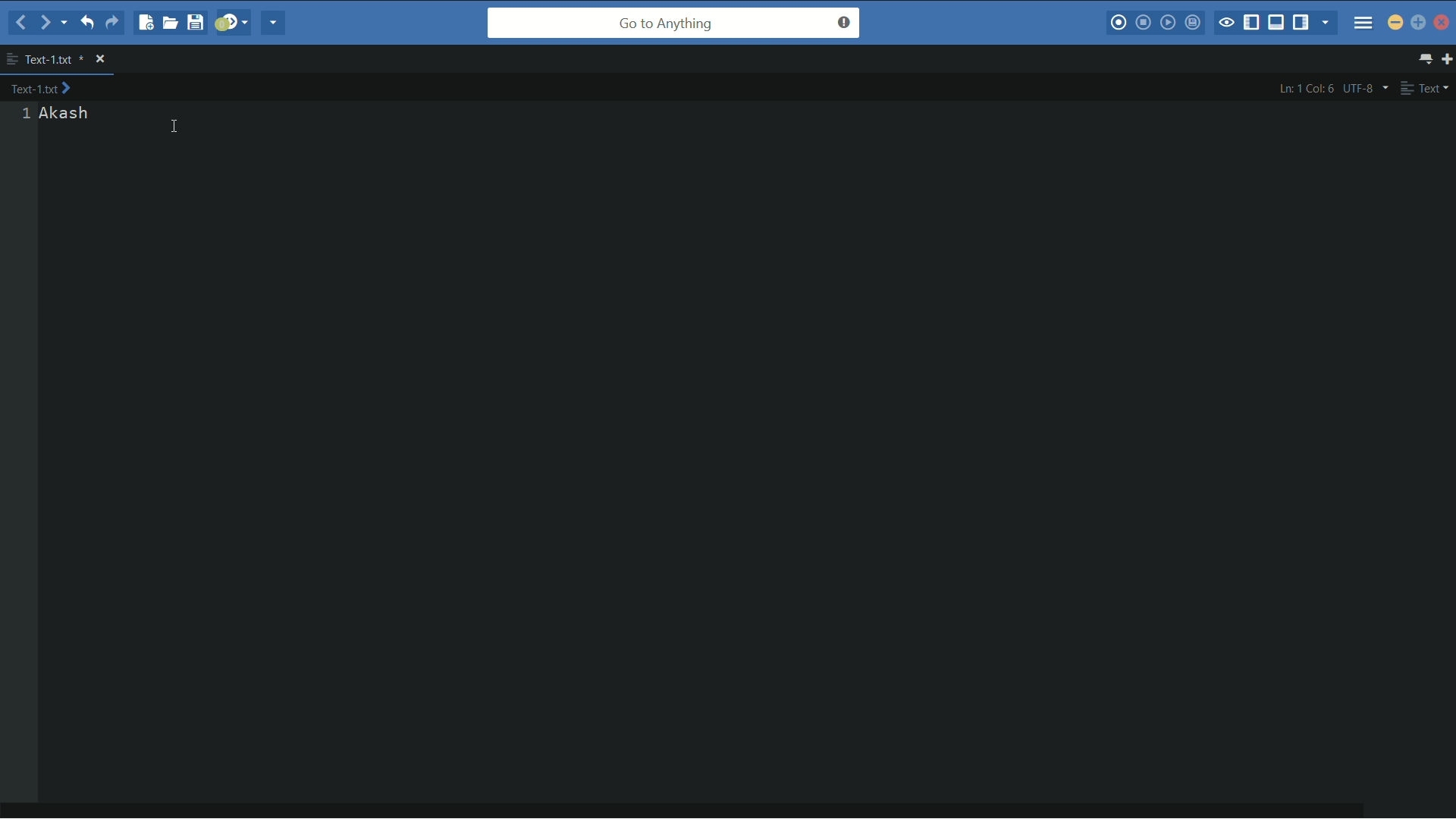  What do you see at coordinates (1367, 89) in the screenshot?
I see `line encoding` at bounding box center [1367, 89].